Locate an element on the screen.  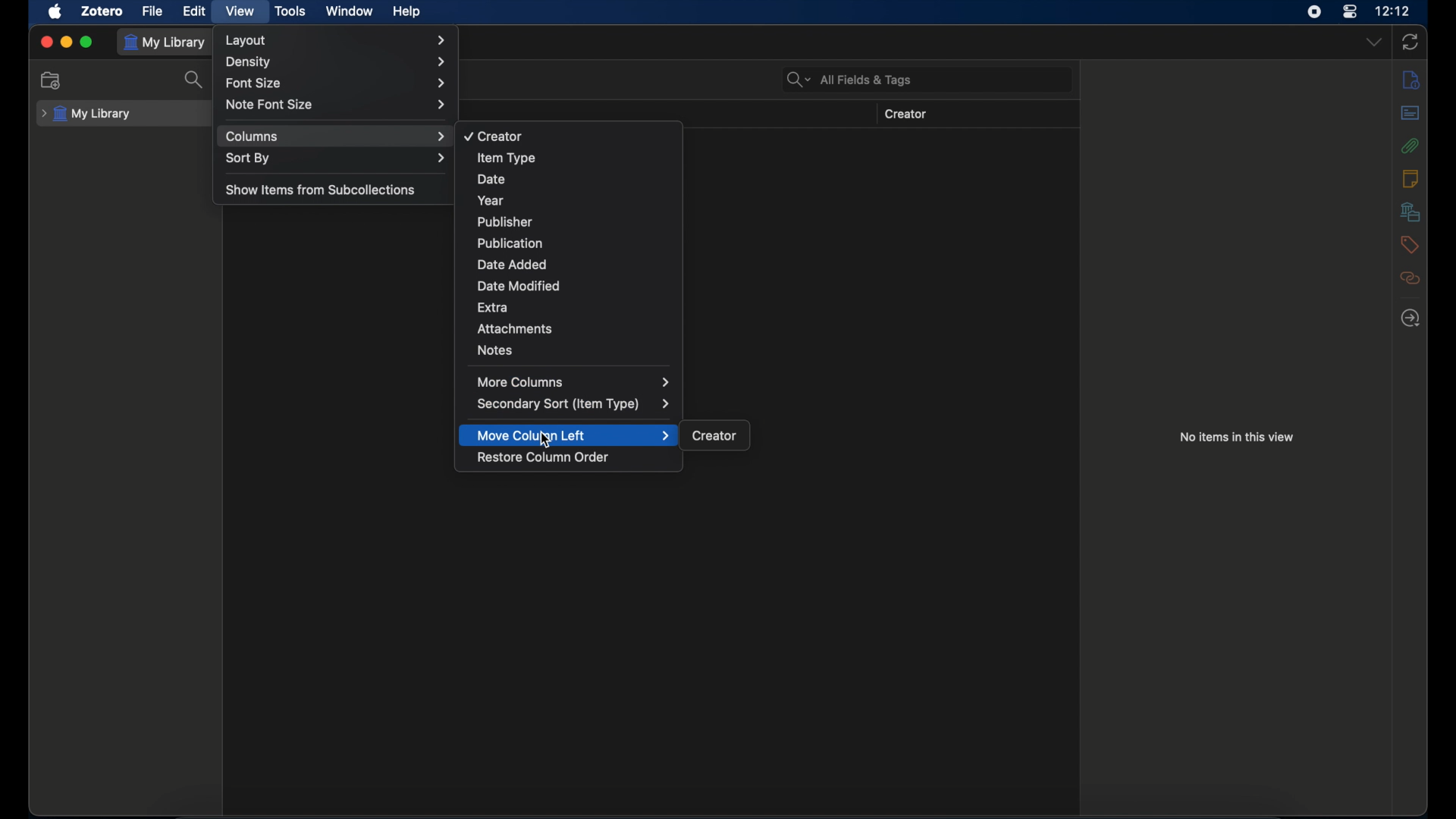
drop-down is located at coordinates (1375, 41).